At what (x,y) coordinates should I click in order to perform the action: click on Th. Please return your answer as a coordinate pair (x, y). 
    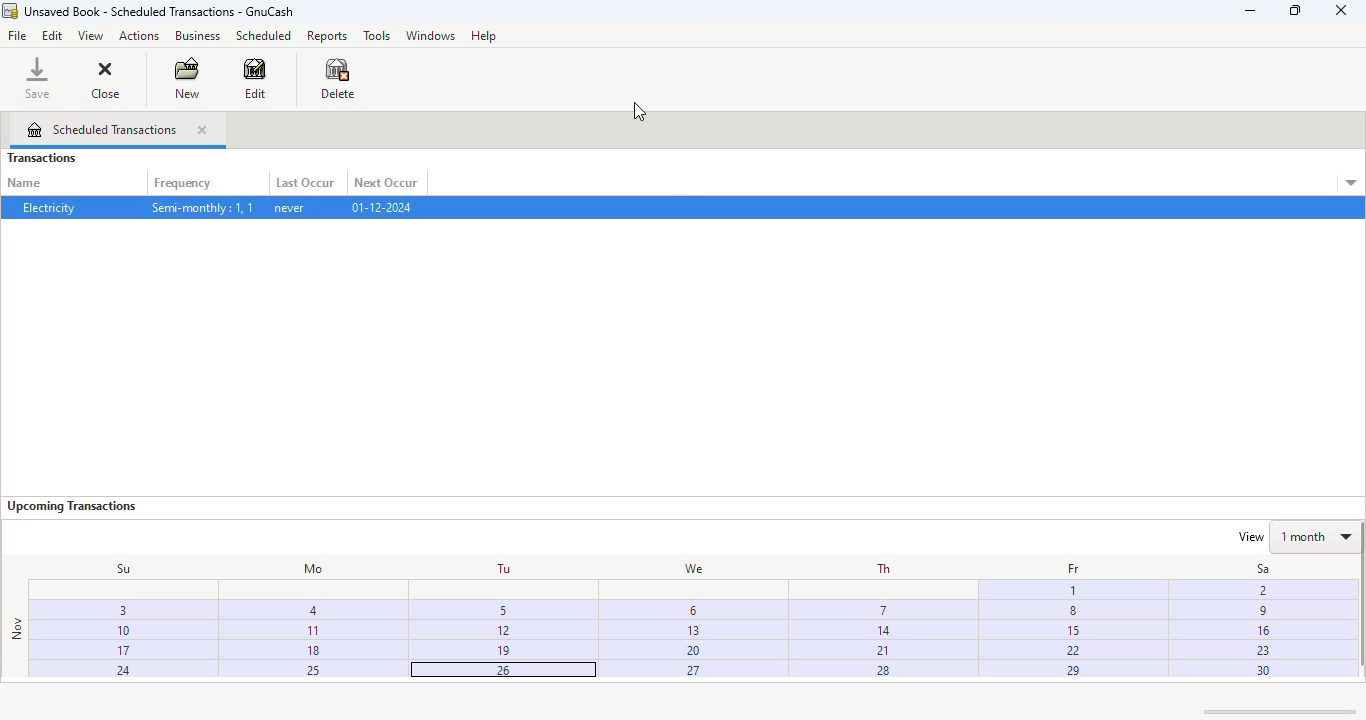
    Looking at the image, I should click on (881, 568).